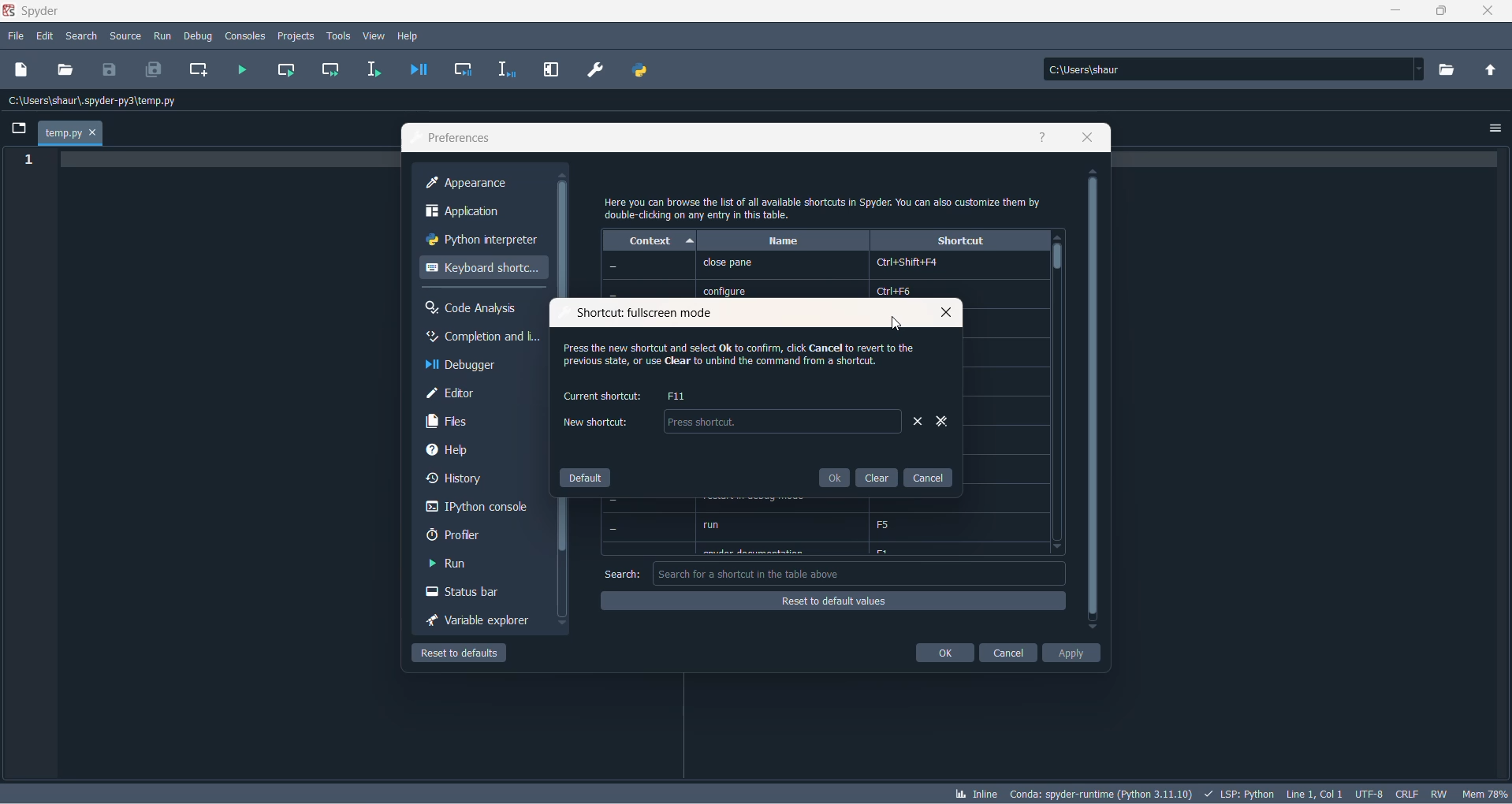 The width and height of the screenshot is (1512, 804). I want to click on reset to default values, so click(834, 603).